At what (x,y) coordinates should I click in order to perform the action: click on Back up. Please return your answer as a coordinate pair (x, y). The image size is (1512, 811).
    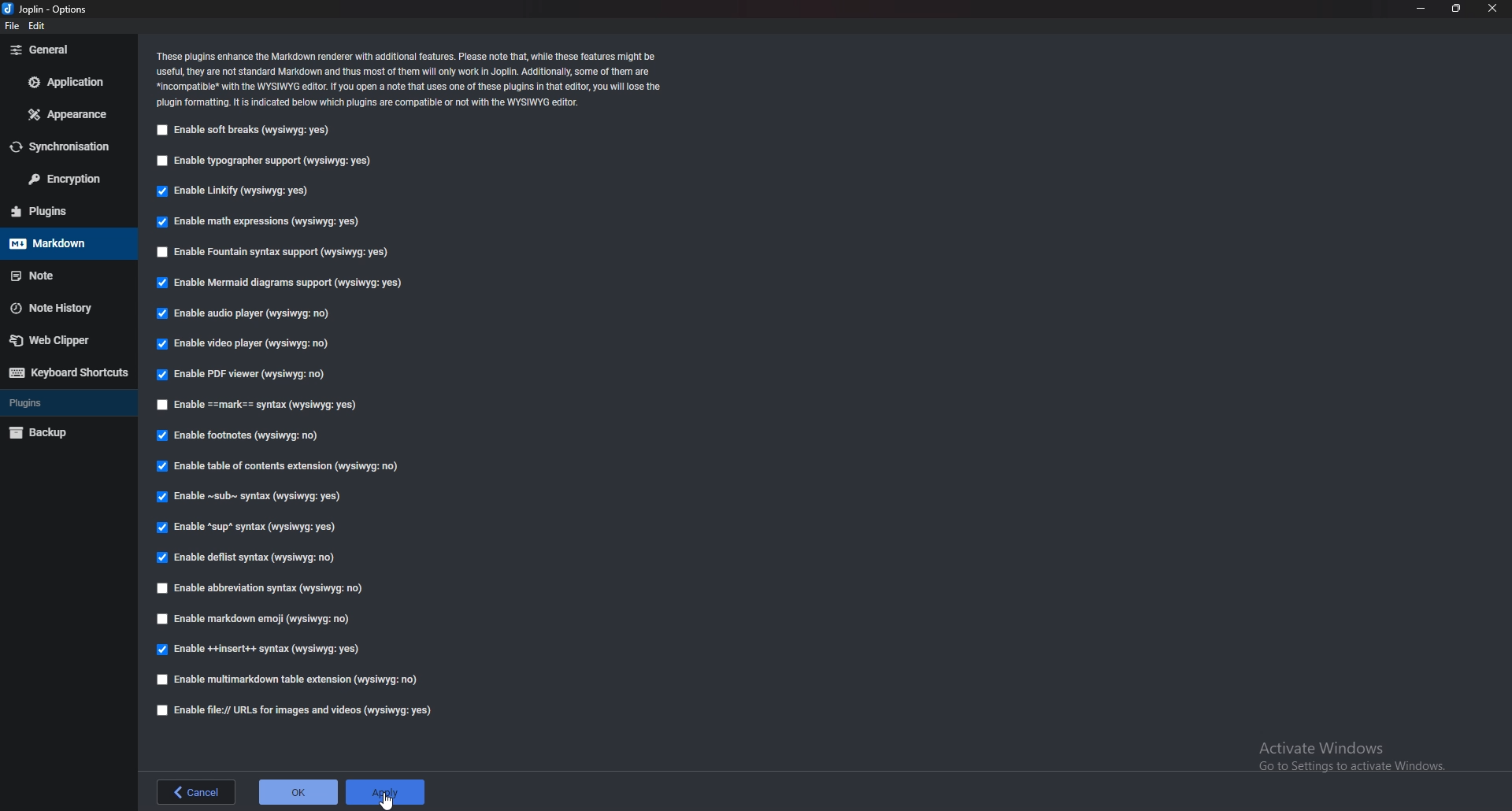
    Looking at the image, I should click on (65, 433).